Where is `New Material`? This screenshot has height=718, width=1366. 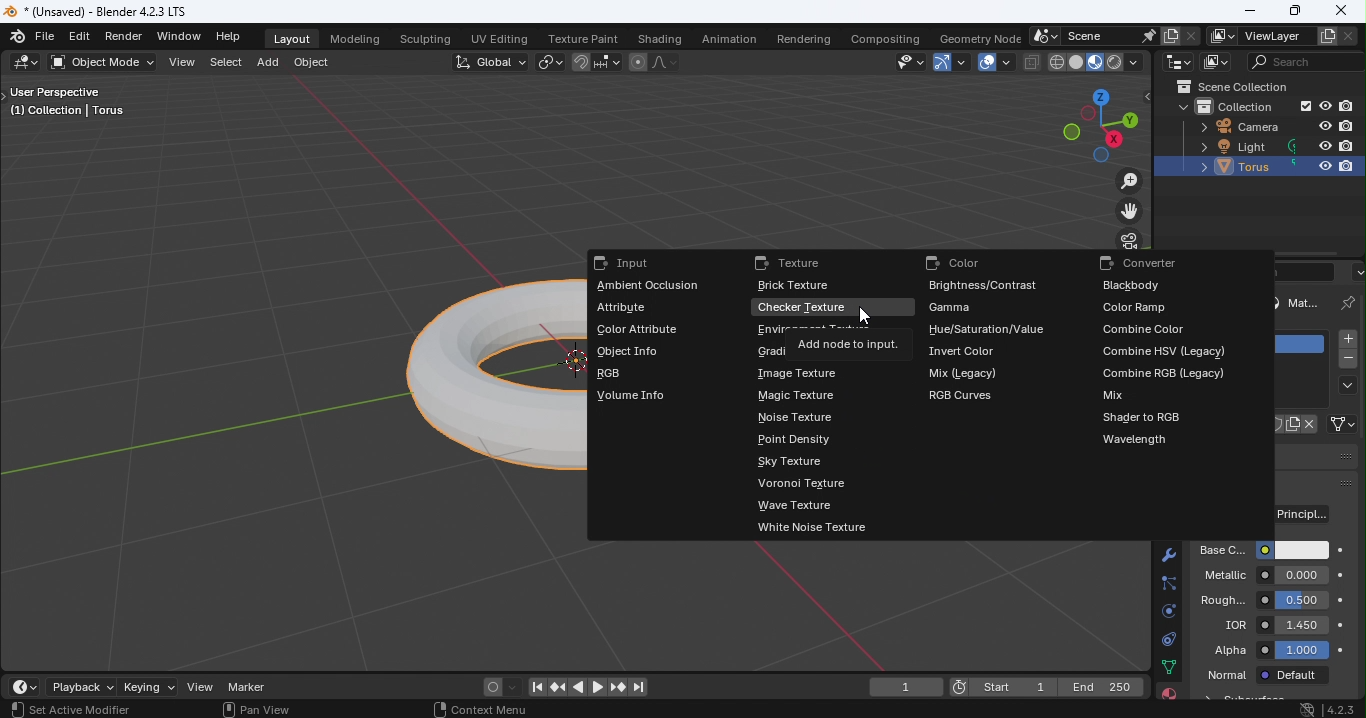
New Material is located at coordinates (1294, 425).